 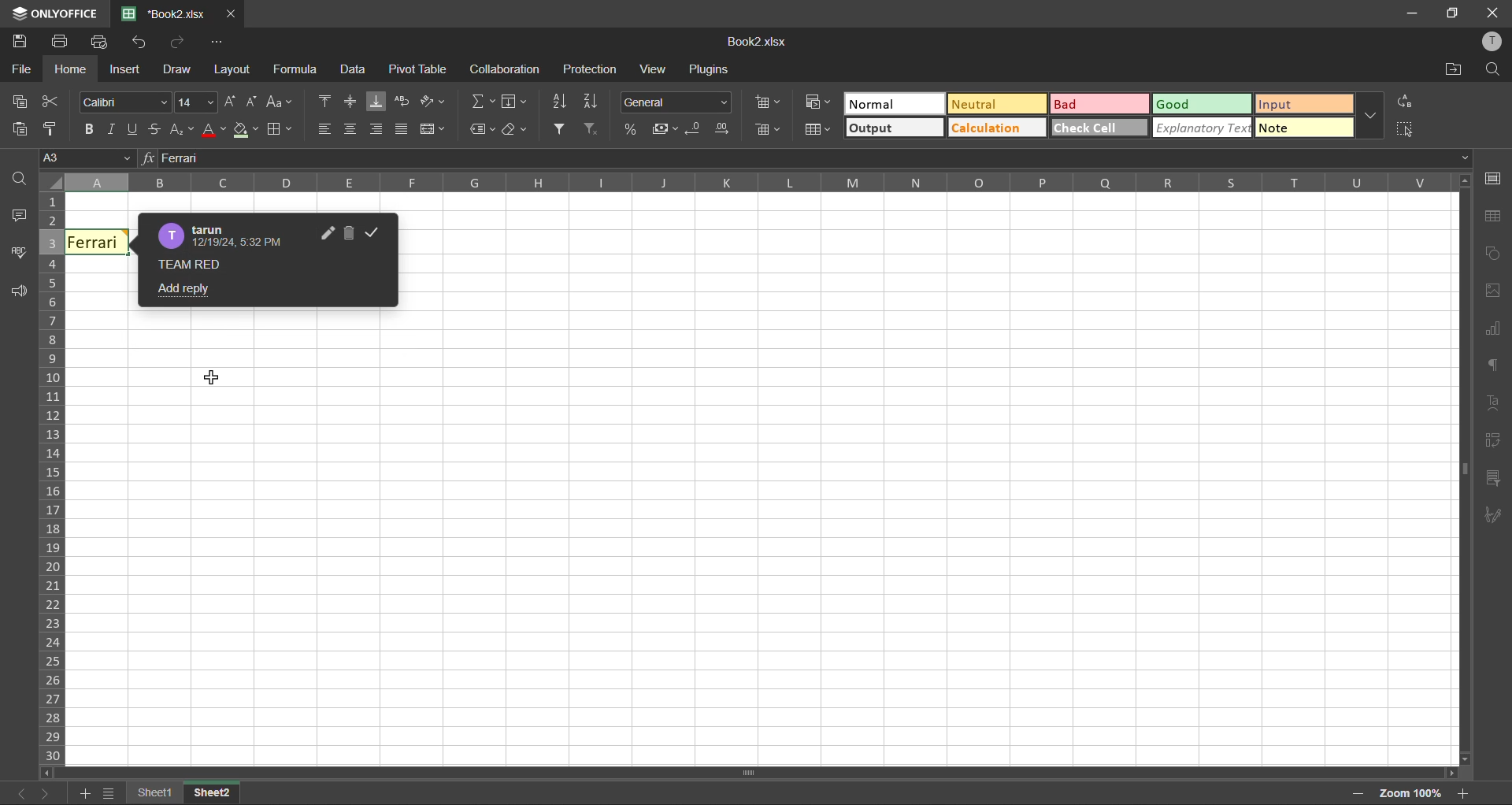 I want to click on save, so click(x=20, y=42).